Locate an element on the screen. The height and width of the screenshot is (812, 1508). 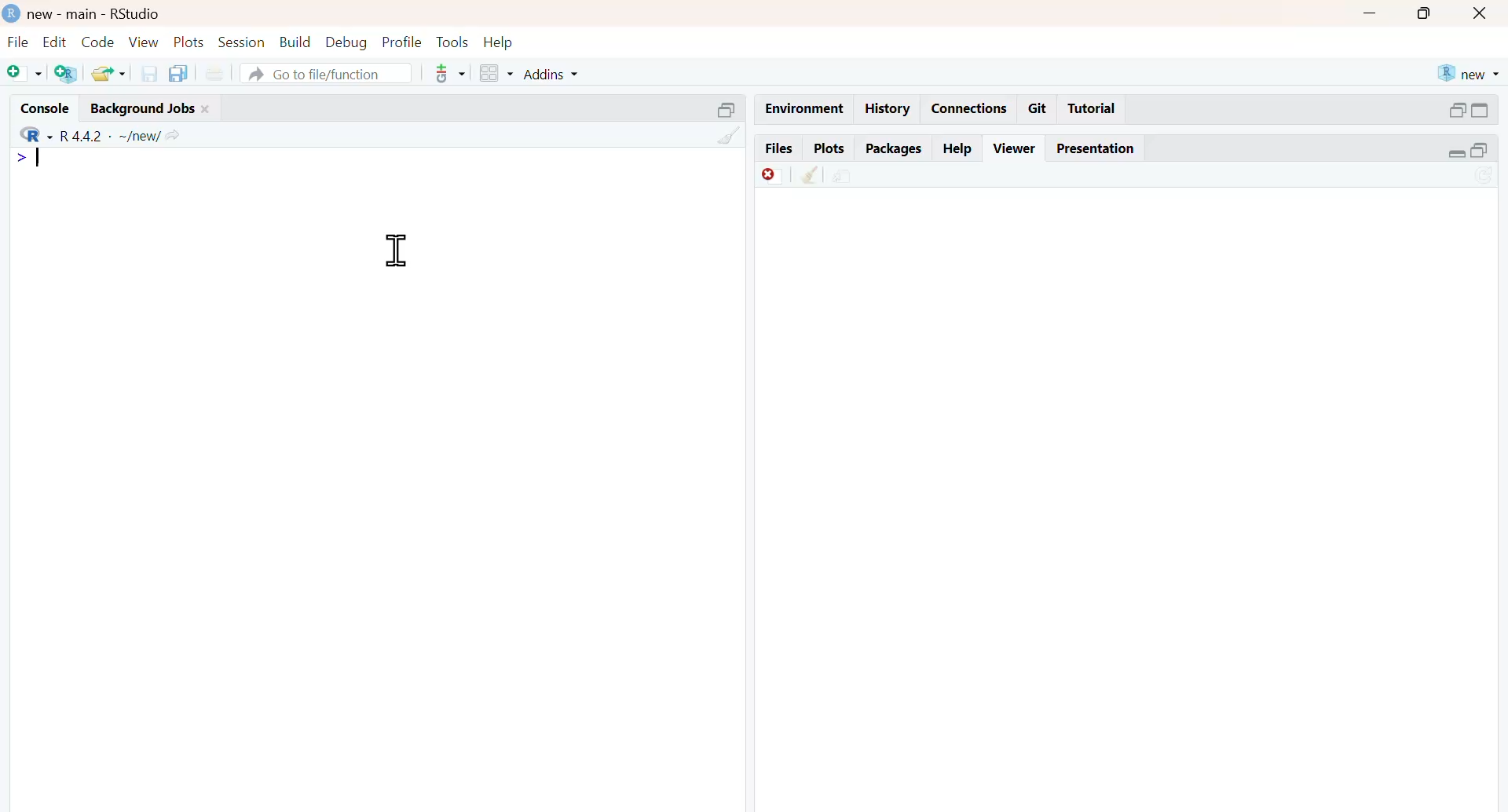
 is located at coordinates (1481, 13).